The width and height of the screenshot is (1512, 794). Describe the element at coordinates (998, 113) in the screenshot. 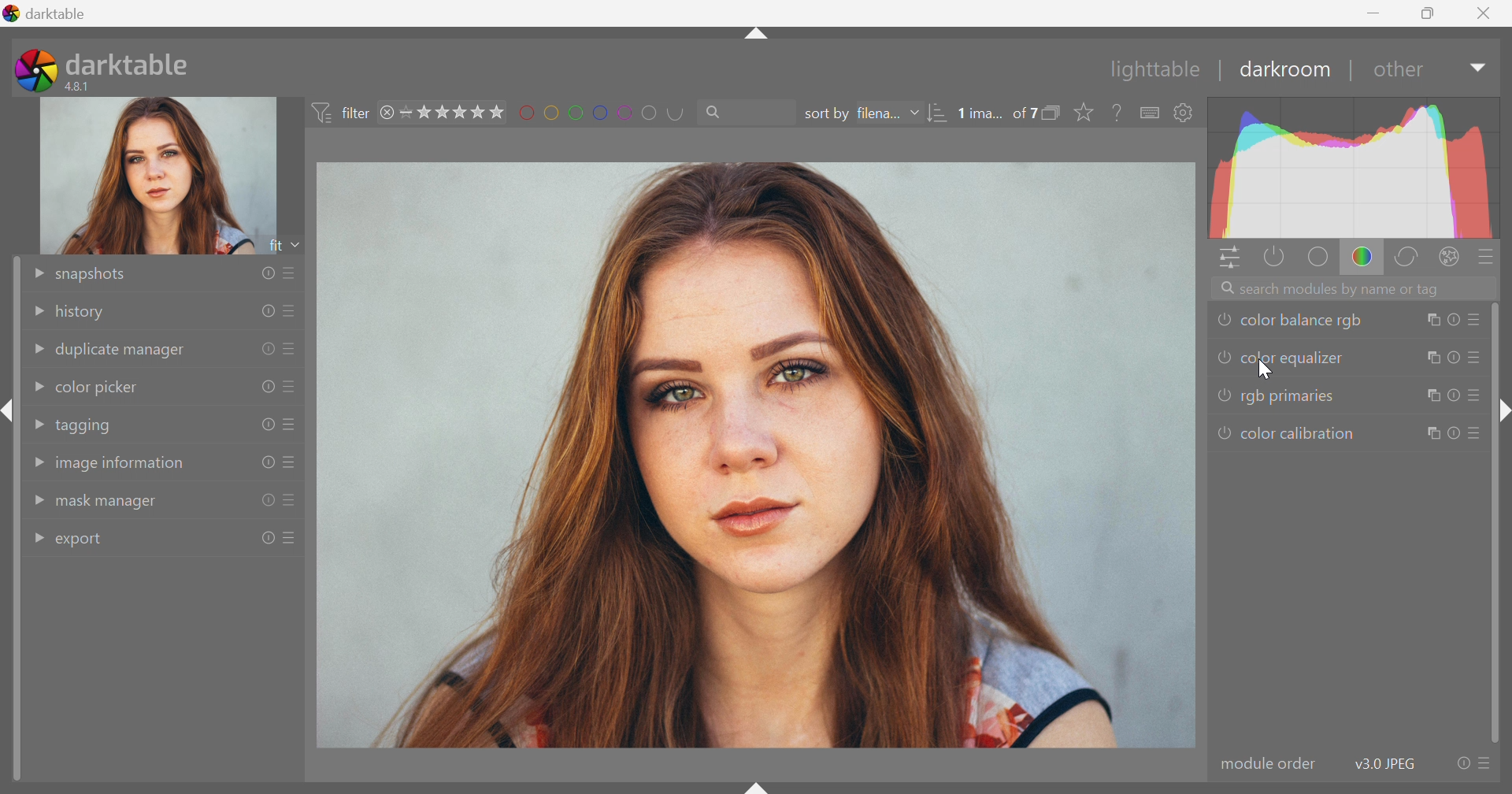

I see `1 ima... of 7` at that location.